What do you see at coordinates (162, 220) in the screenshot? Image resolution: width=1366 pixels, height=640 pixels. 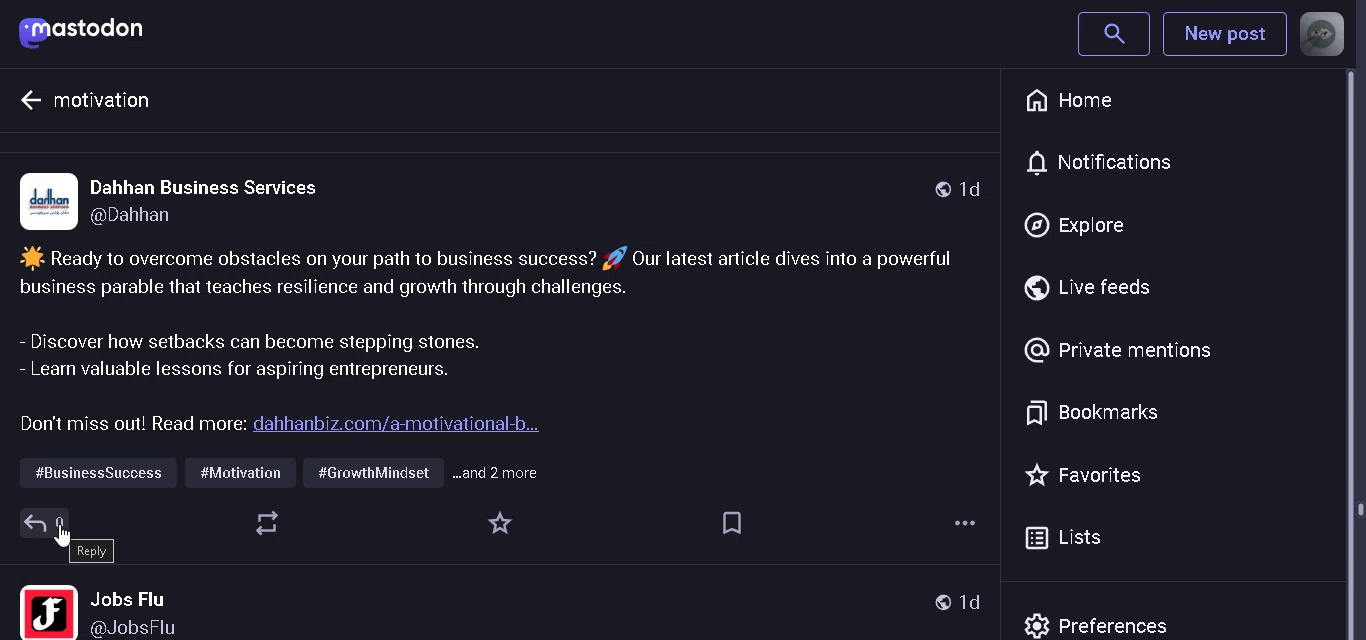 I see `@Dahhan` at bounding box center [162, 220].